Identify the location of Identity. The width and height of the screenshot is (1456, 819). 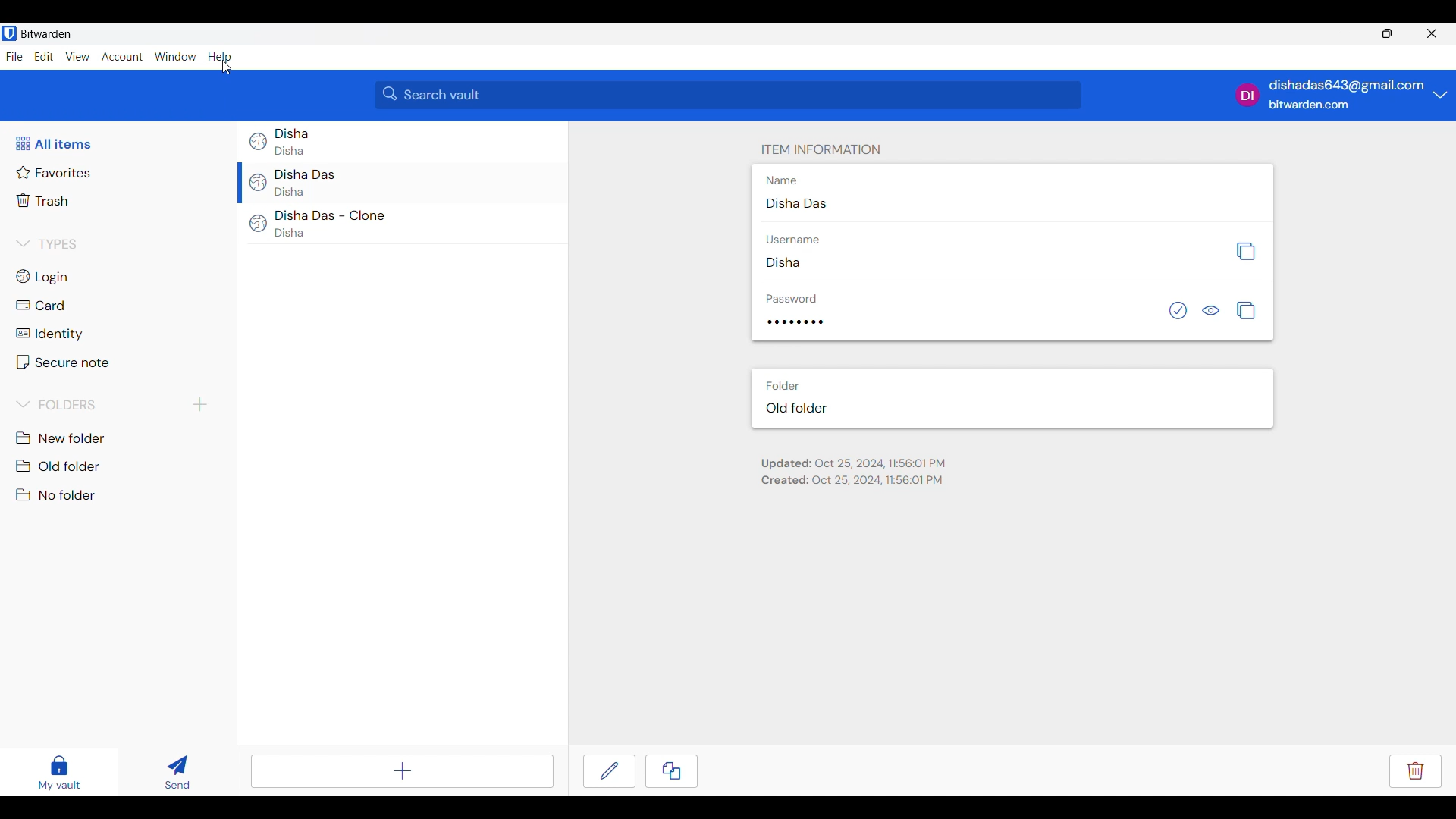
(48, 334).